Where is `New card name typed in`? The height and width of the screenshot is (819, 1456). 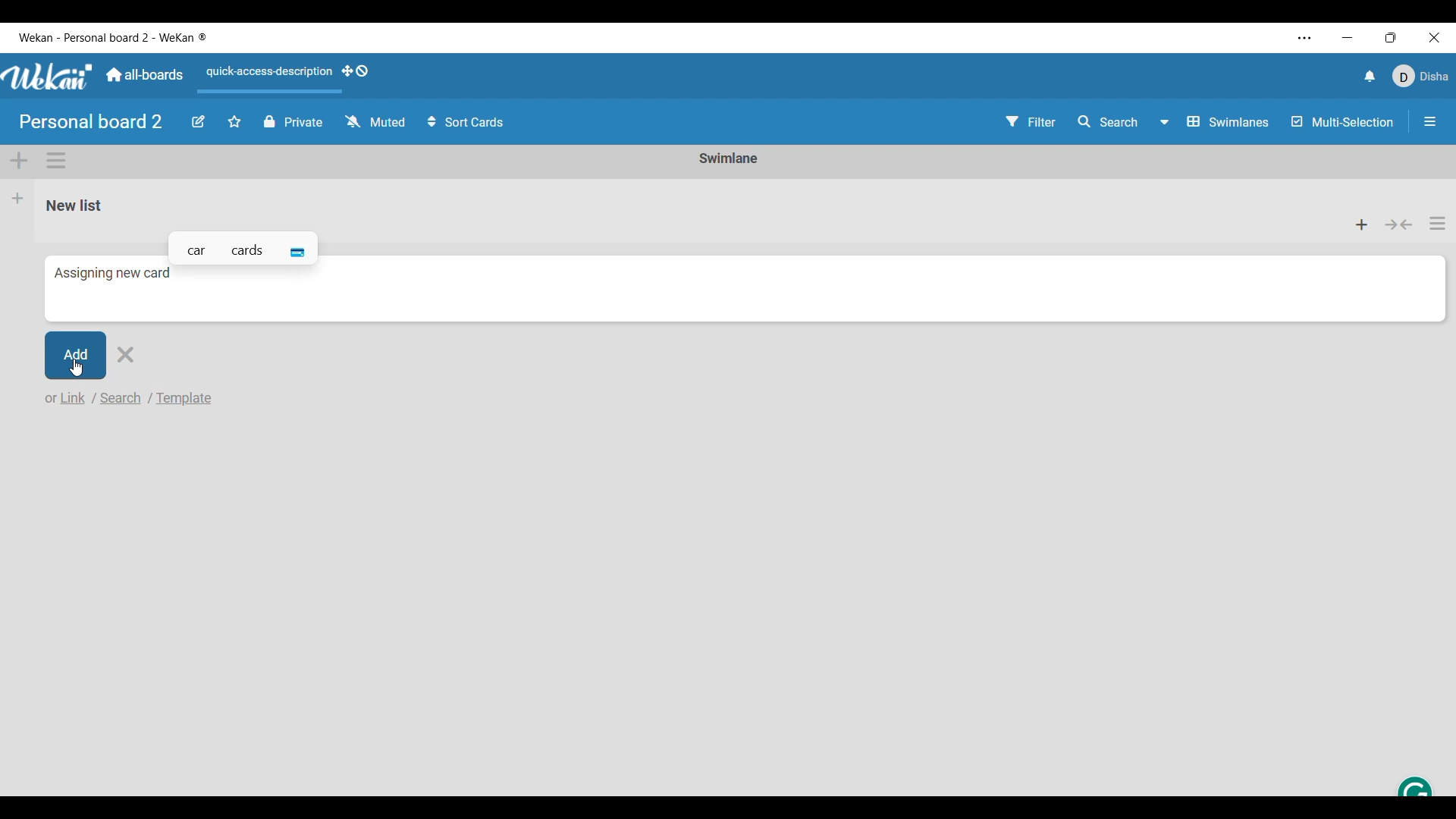 New card name typed in is located at coordinates (114, 273).